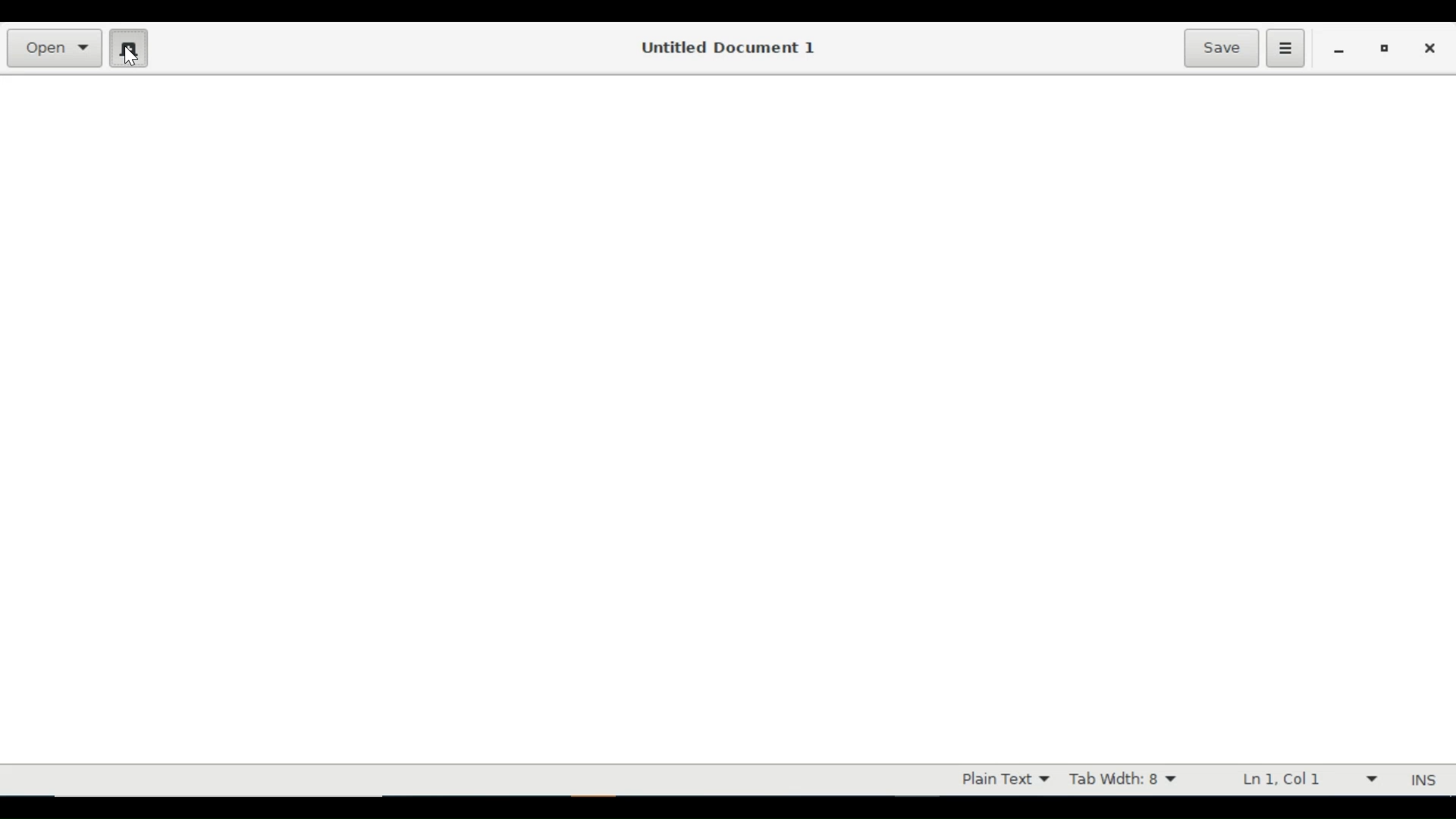 This screenshot has height=819, width=1456. Describe the element at coordinates (726, 419) in the screenshot. I see `Text Entry Pane` at that location.